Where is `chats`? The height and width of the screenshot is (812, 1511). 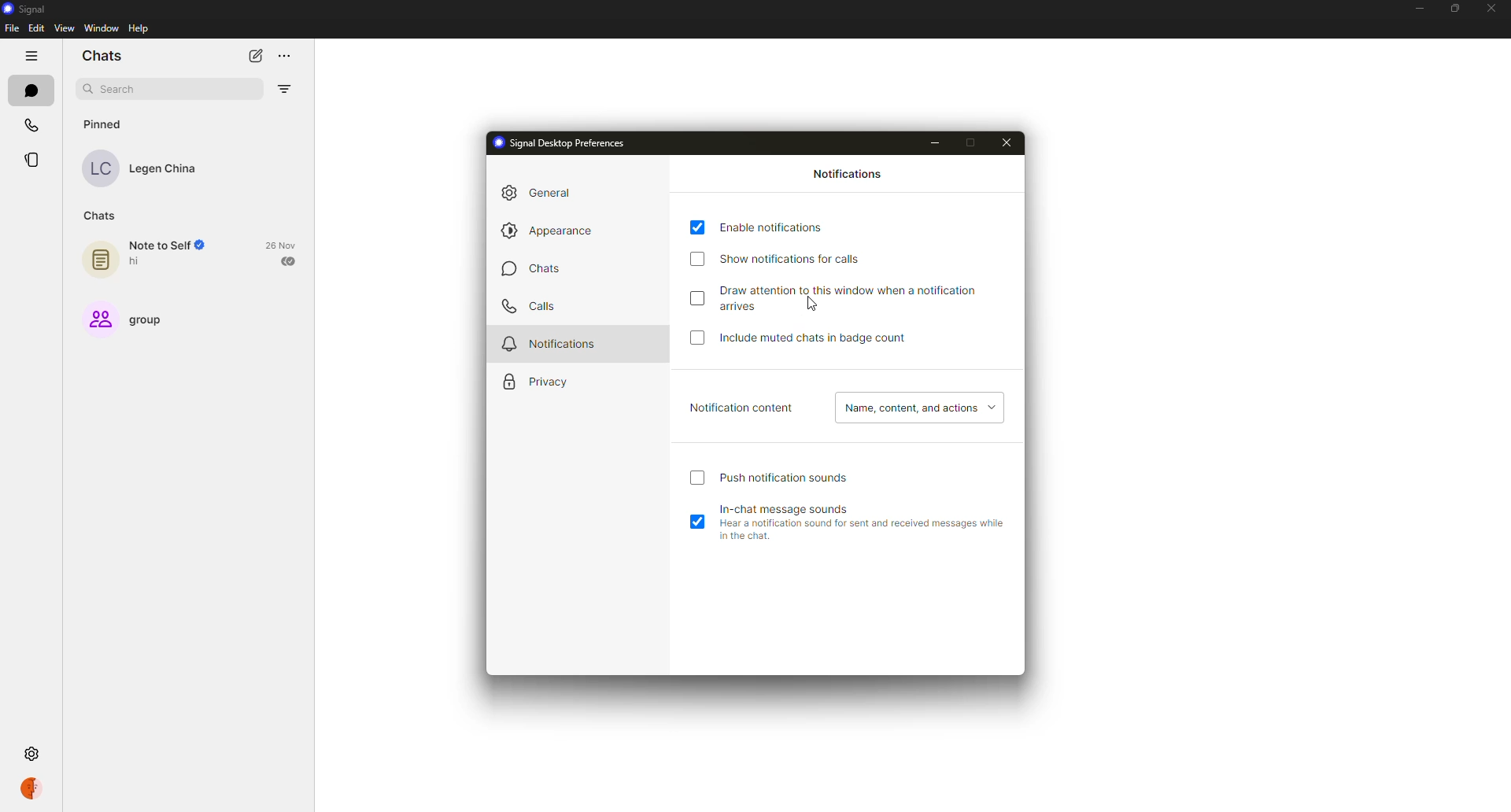
chats is located at coordinates (102, 56).